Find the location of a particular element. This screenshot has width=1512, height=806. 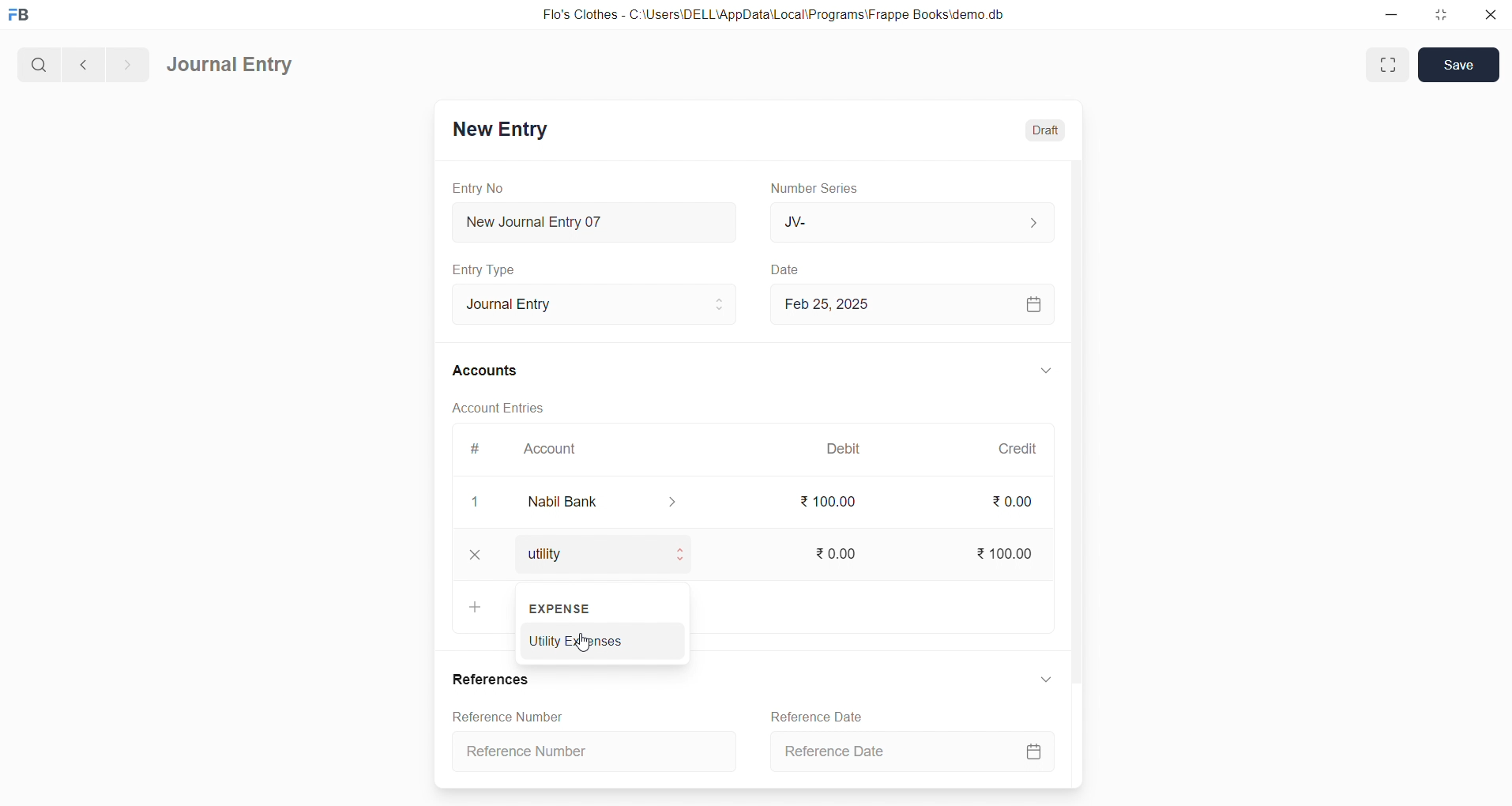

utility is located at coordinates (599, 554).